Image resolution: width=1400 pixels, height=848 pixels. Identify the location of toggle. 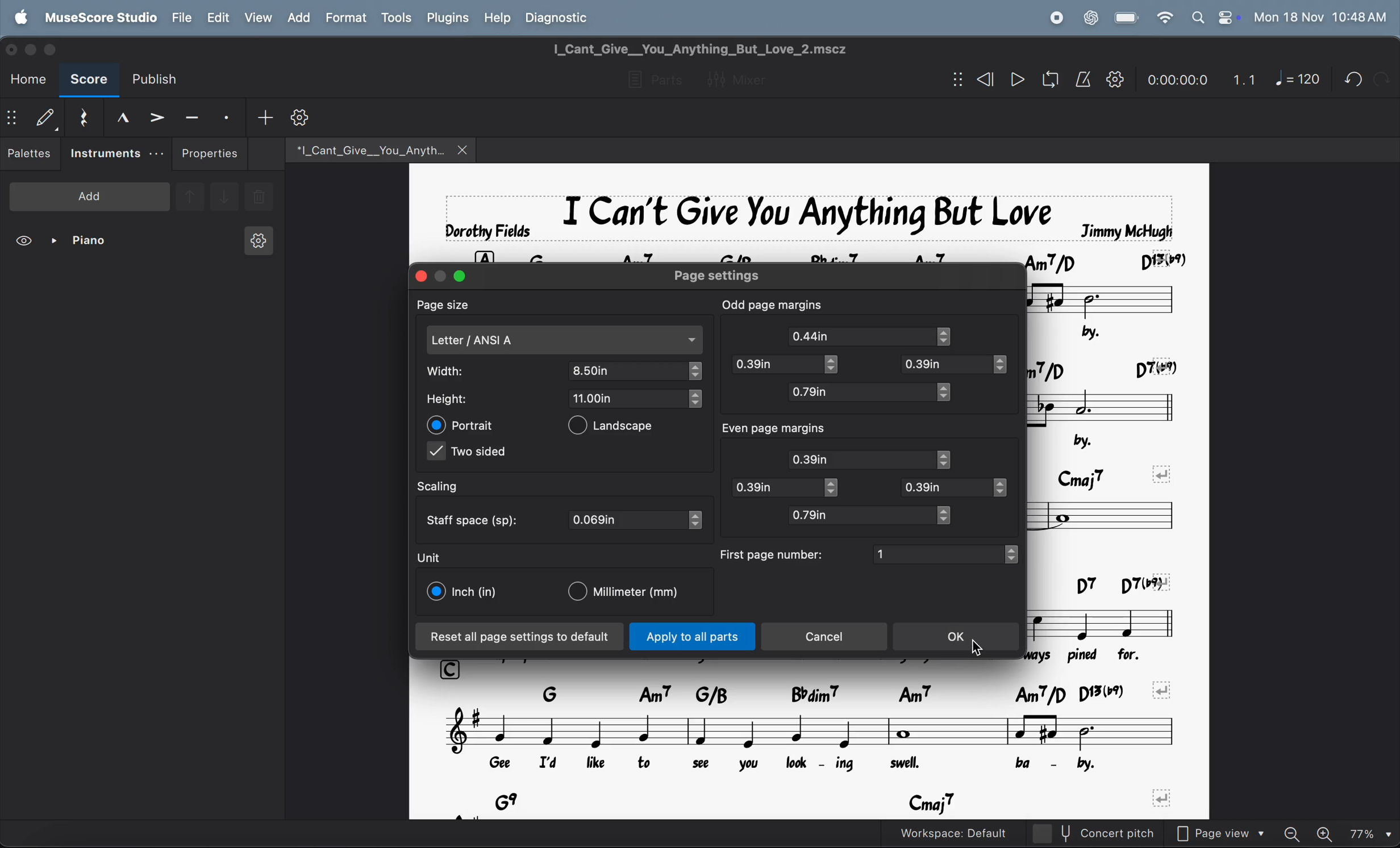
(1007, 365).